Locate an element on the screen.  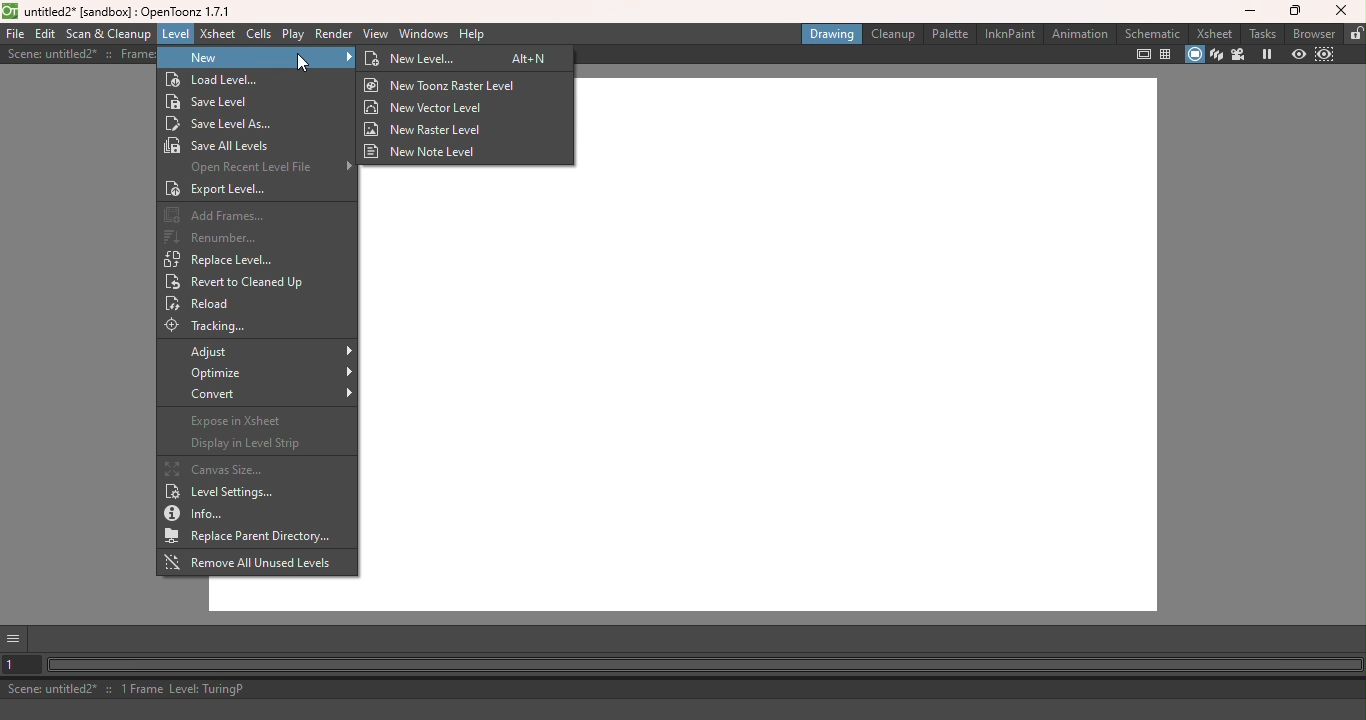
Open recent level file is located at coordinates (264, 166).